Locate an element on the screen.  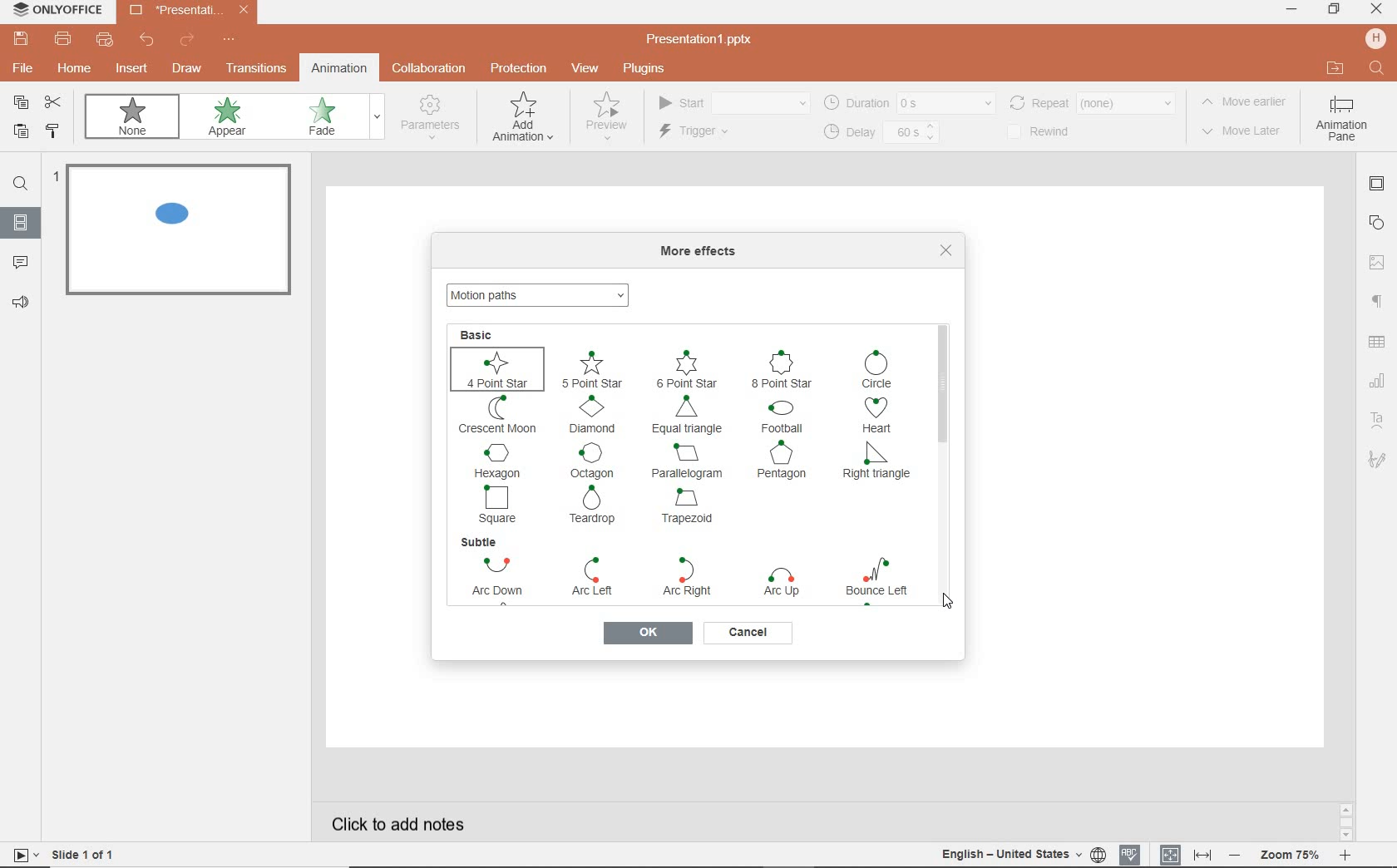
file name is located at coordinates (190, 12).